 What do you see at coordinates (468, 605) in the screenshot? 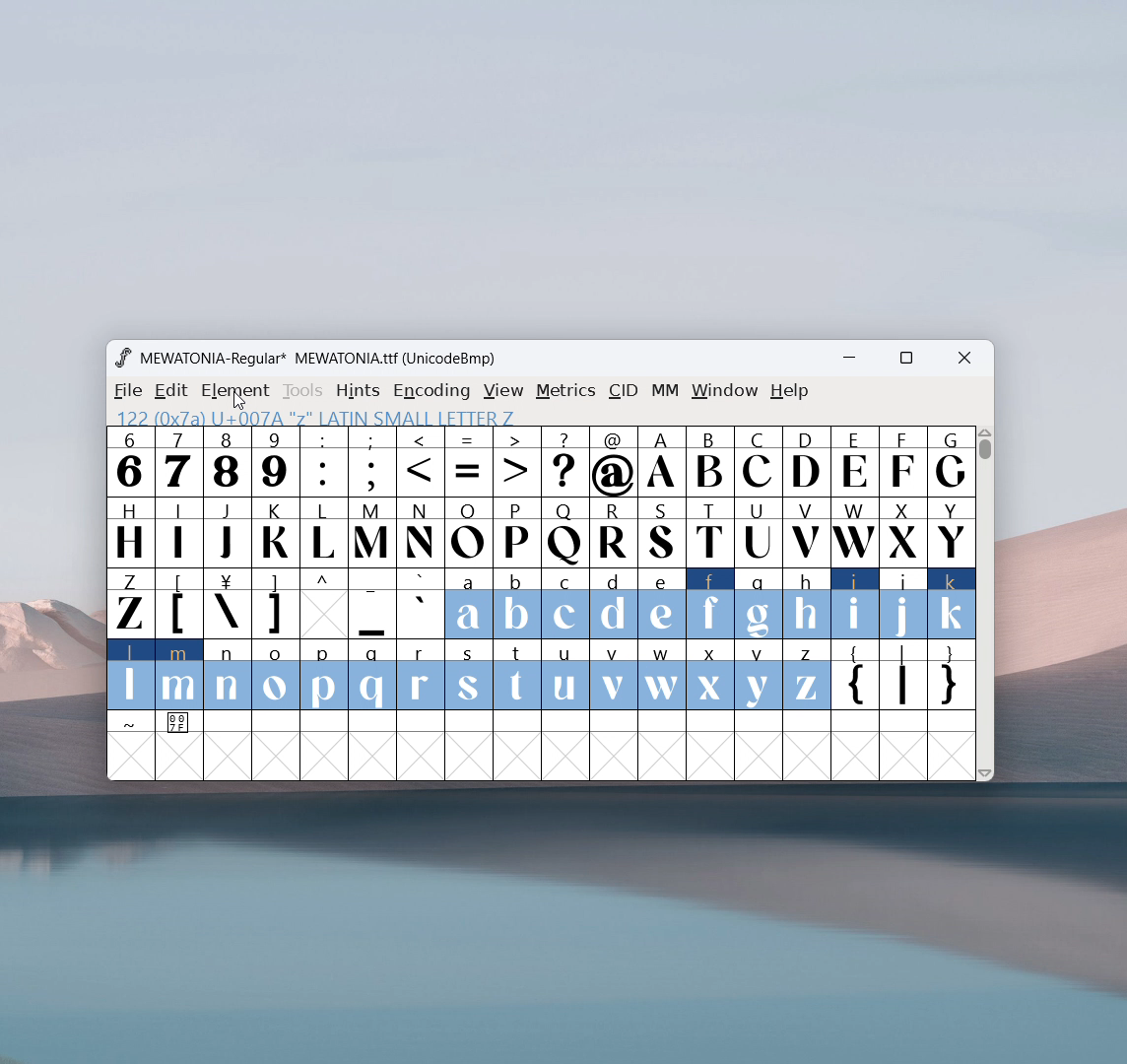
I see `a` at bounding box center [468, 605].